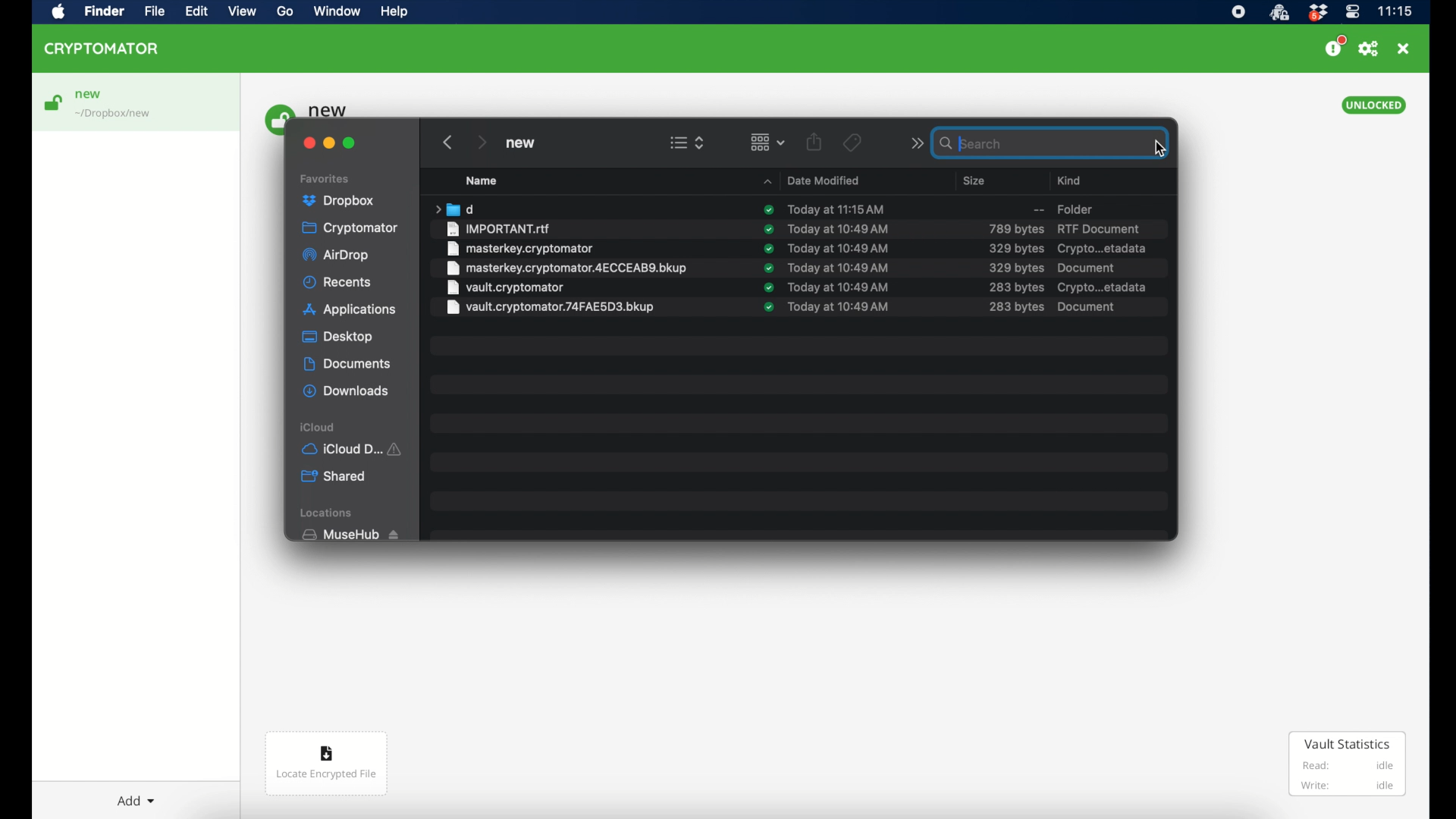 This screenshot has width=1456, height=819. I want to click on next, so click(909, 143).